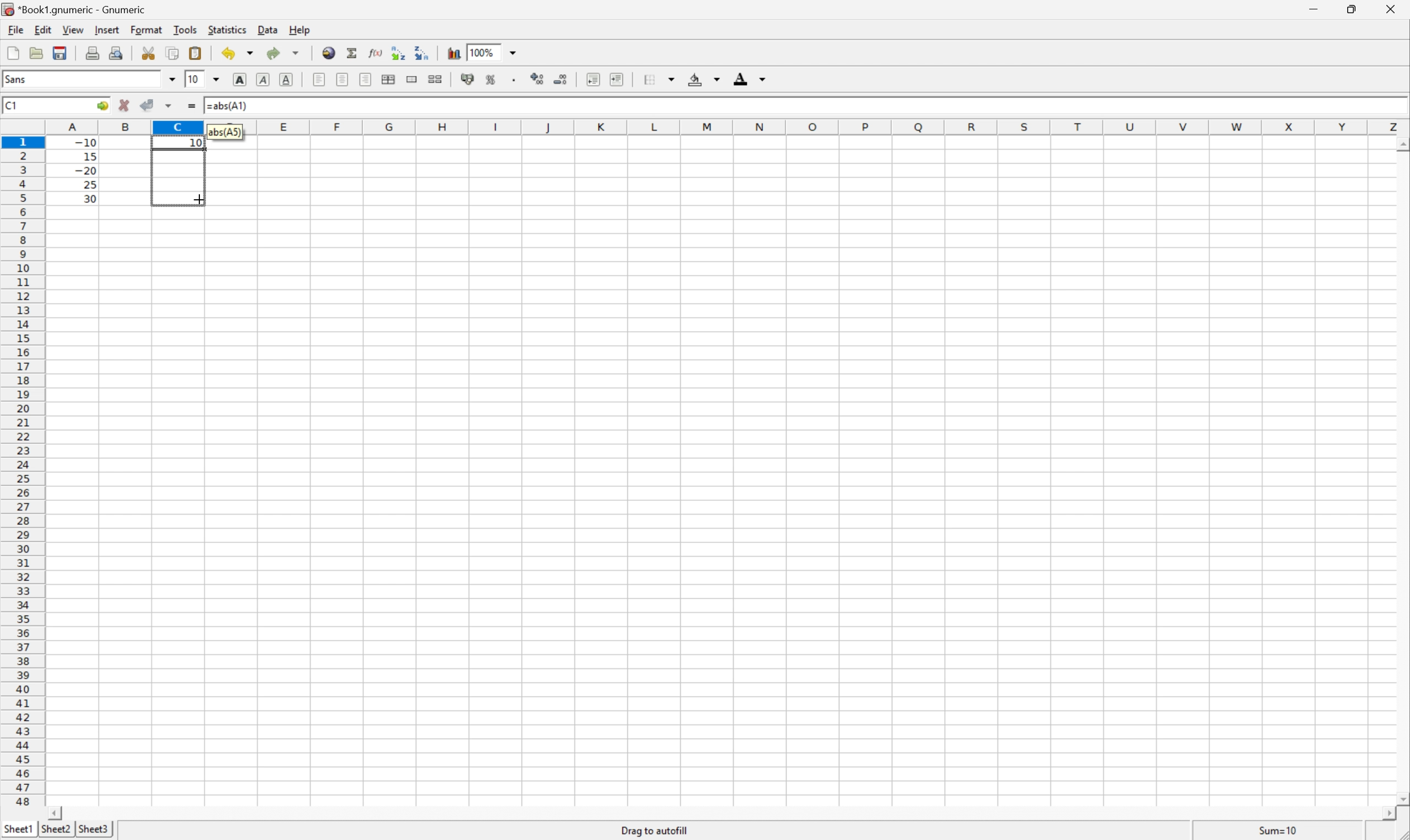 The height and width of the screenshot is (840, 1410). I want to click on Sort the selected region in ascending order based on the first column selected, so click(396, 52).